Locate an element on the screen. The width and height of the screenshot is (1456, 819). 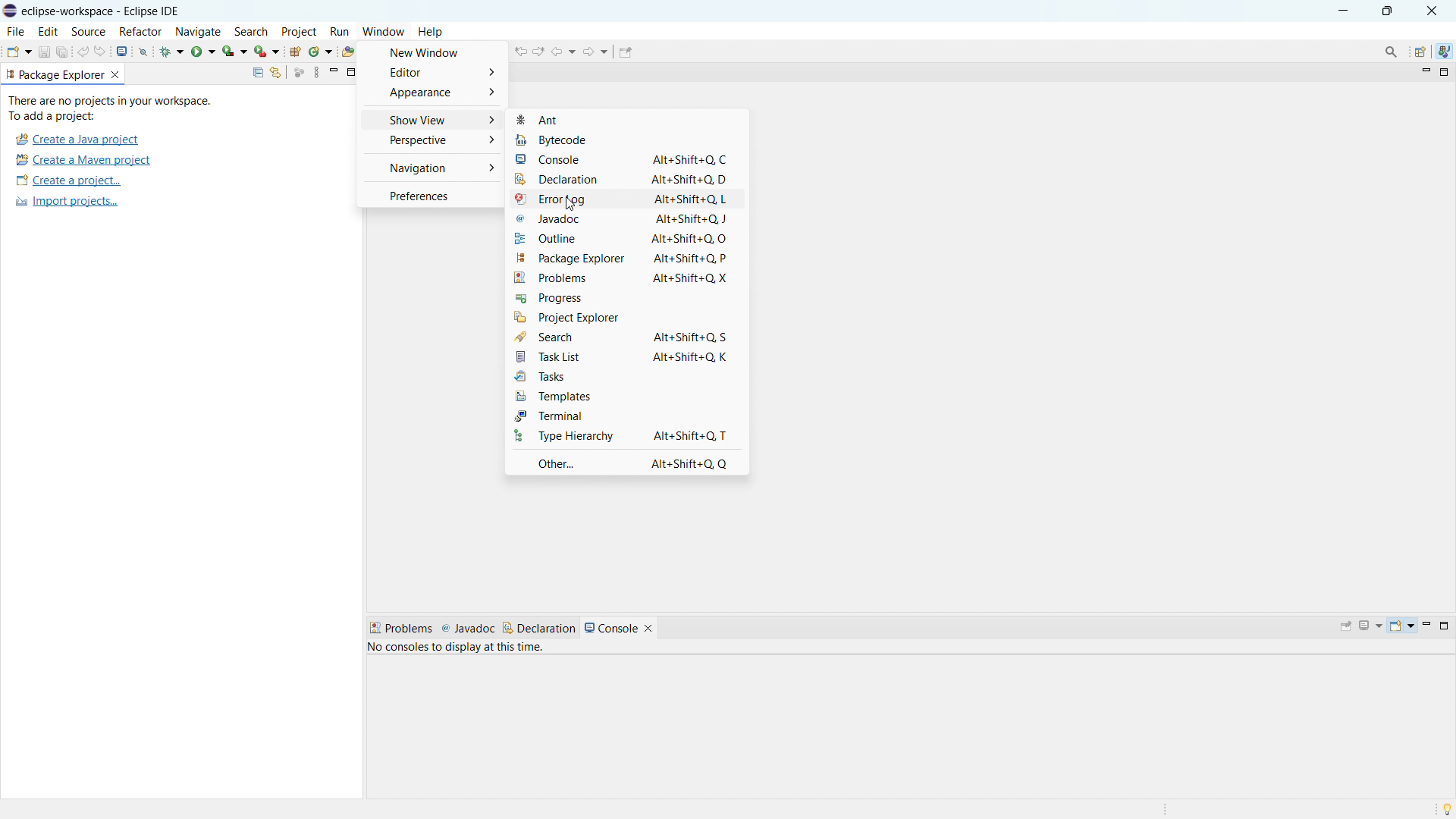
Task List   Alt+Shift+Q, K is located at coordinates (618, 356).